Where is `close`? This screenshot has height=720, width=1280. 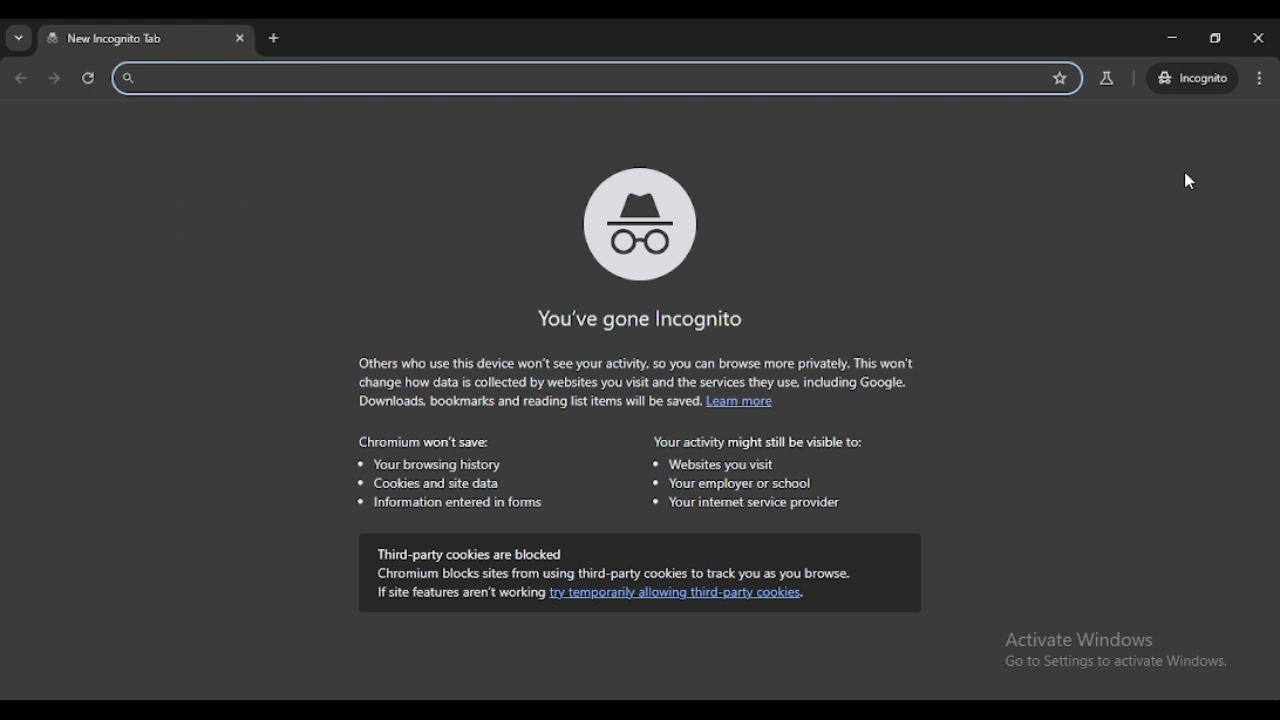 close is located at coordinates (1258, 38).